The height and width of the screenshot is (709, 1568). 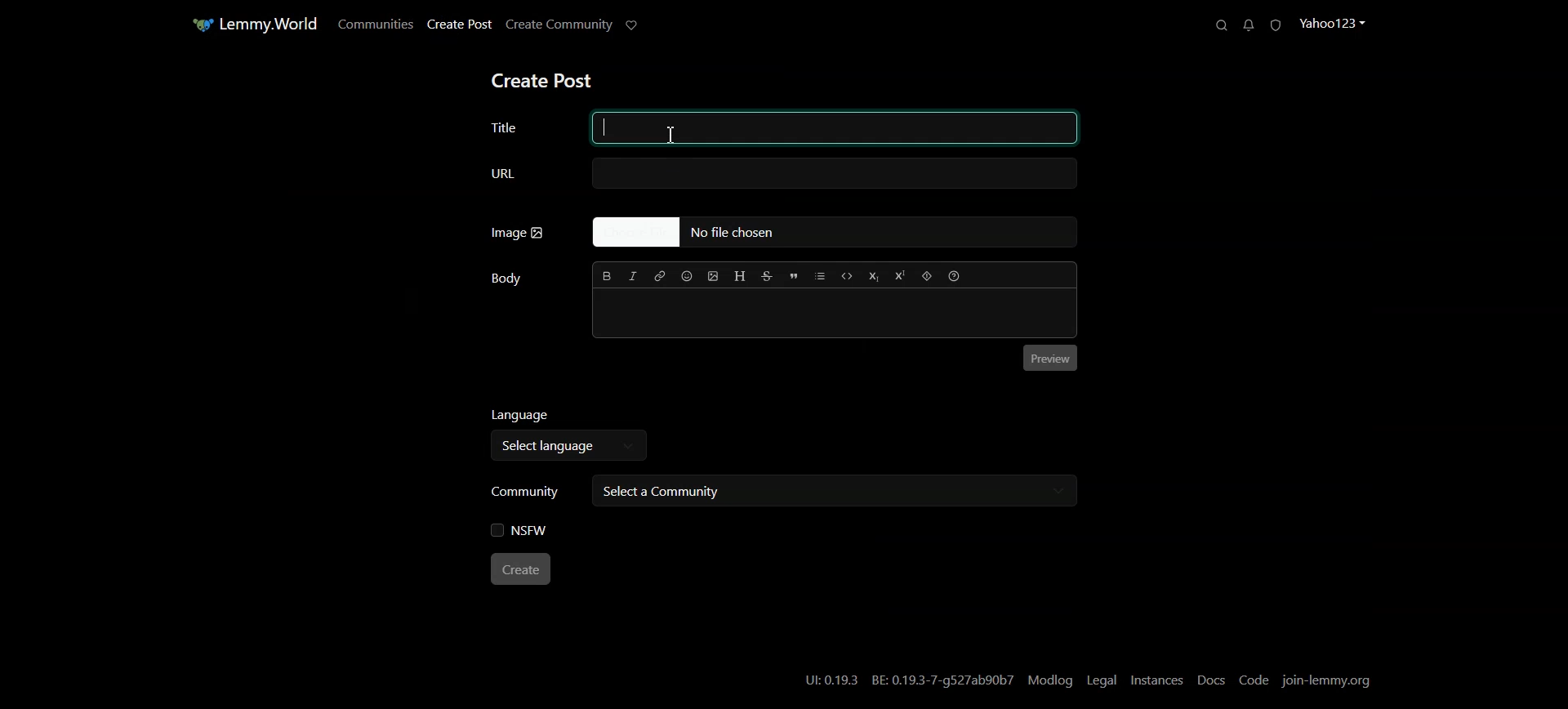 I want to click on UI: 0.19.3 BE: 0.19.3-7-g527ab90b7, so click(x=907, y=679).